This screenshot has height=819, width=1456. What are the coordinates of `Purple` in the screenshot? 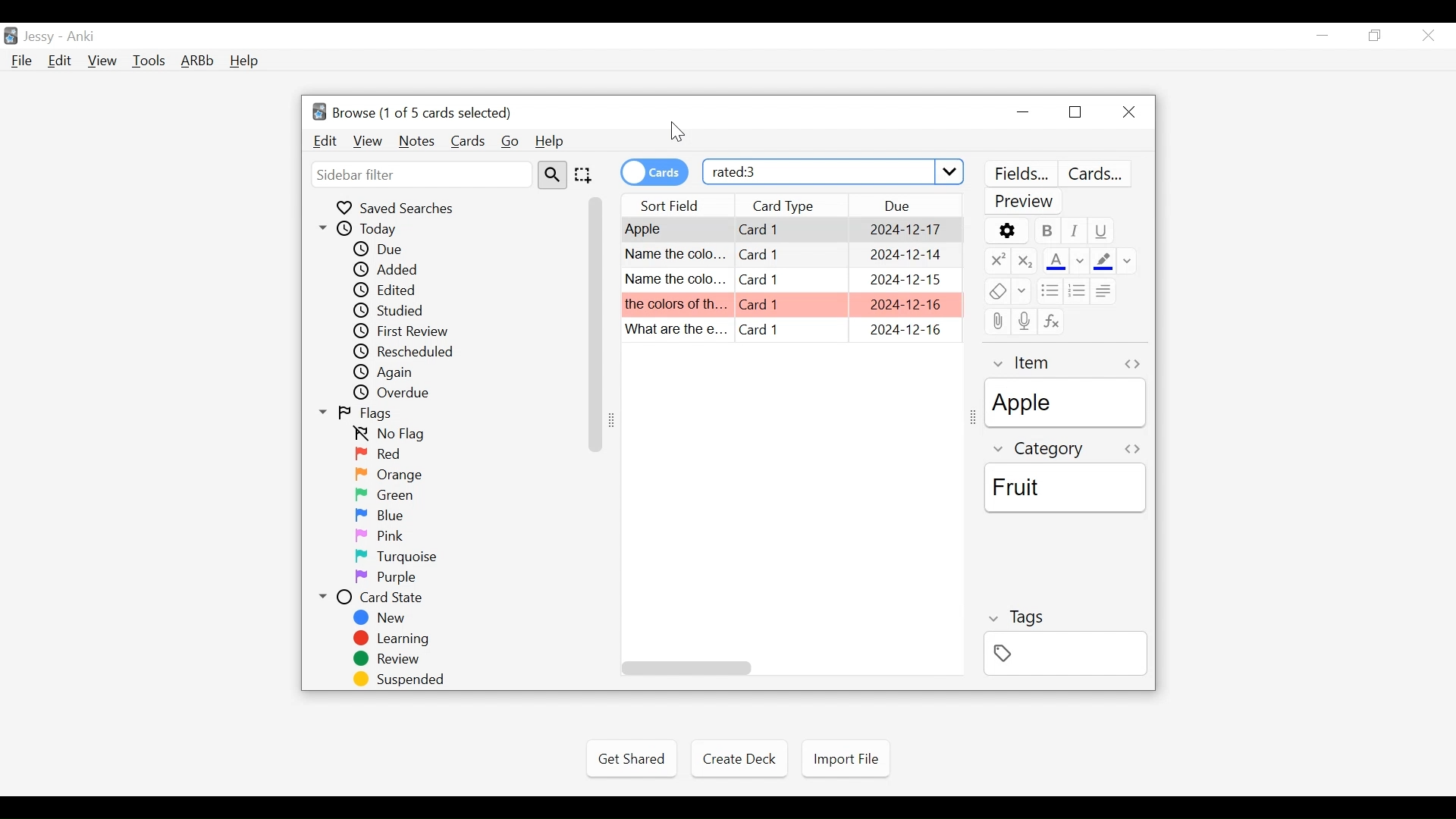 It's located at (389, 578).